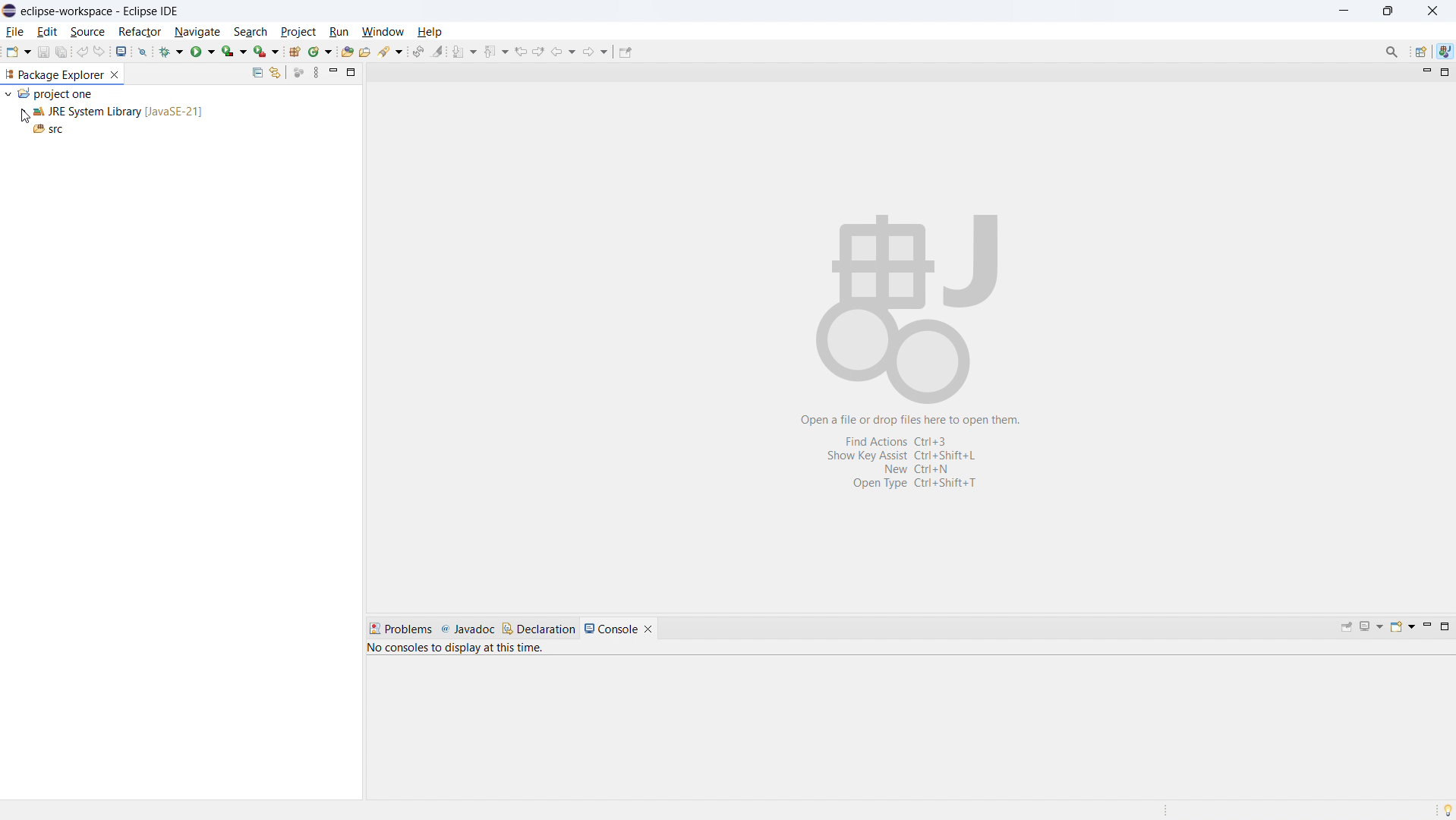 The image size is (1456, 820). I want to click on New java class, so click(320, 52).